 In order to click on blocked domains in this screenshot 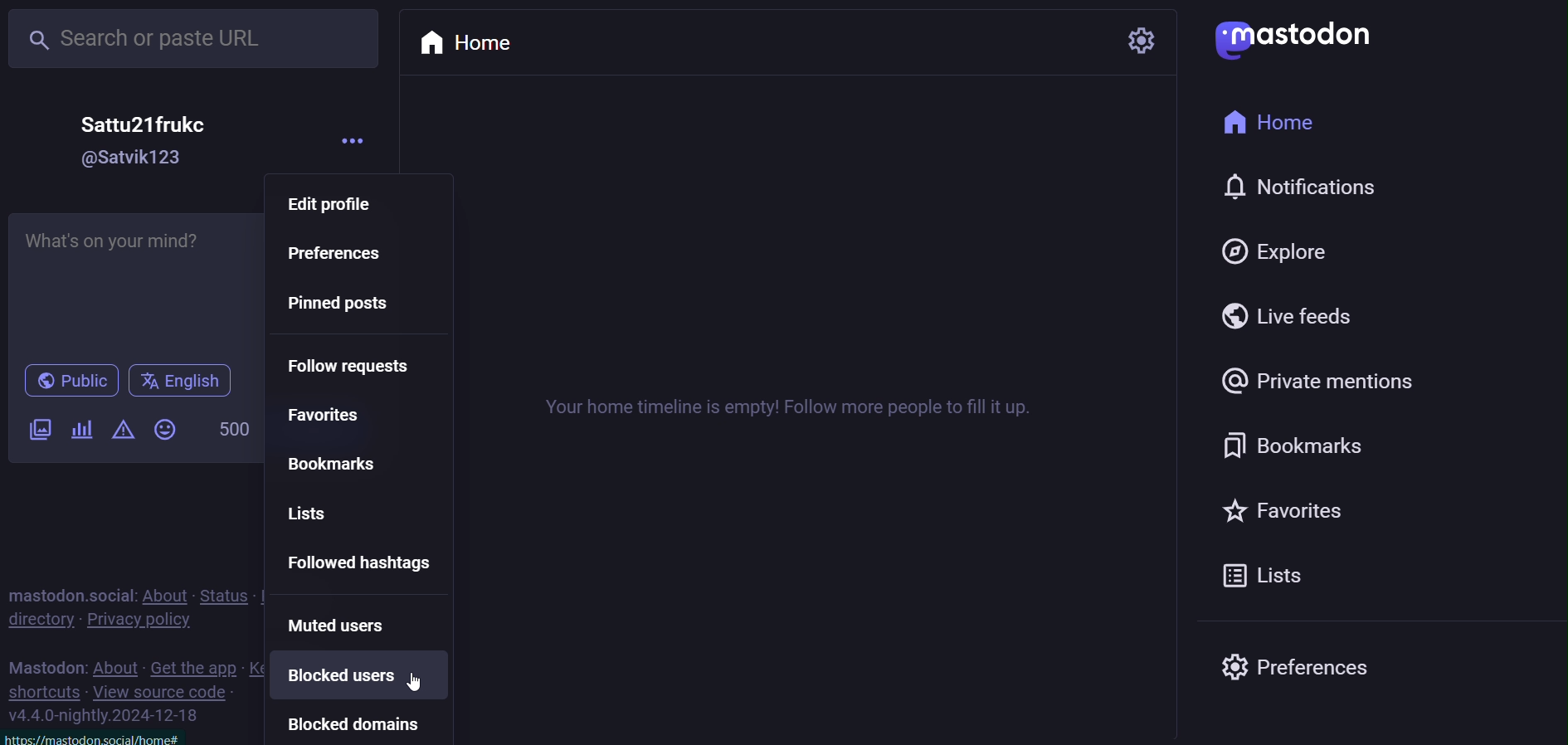, I will do `click(356, 722)`.